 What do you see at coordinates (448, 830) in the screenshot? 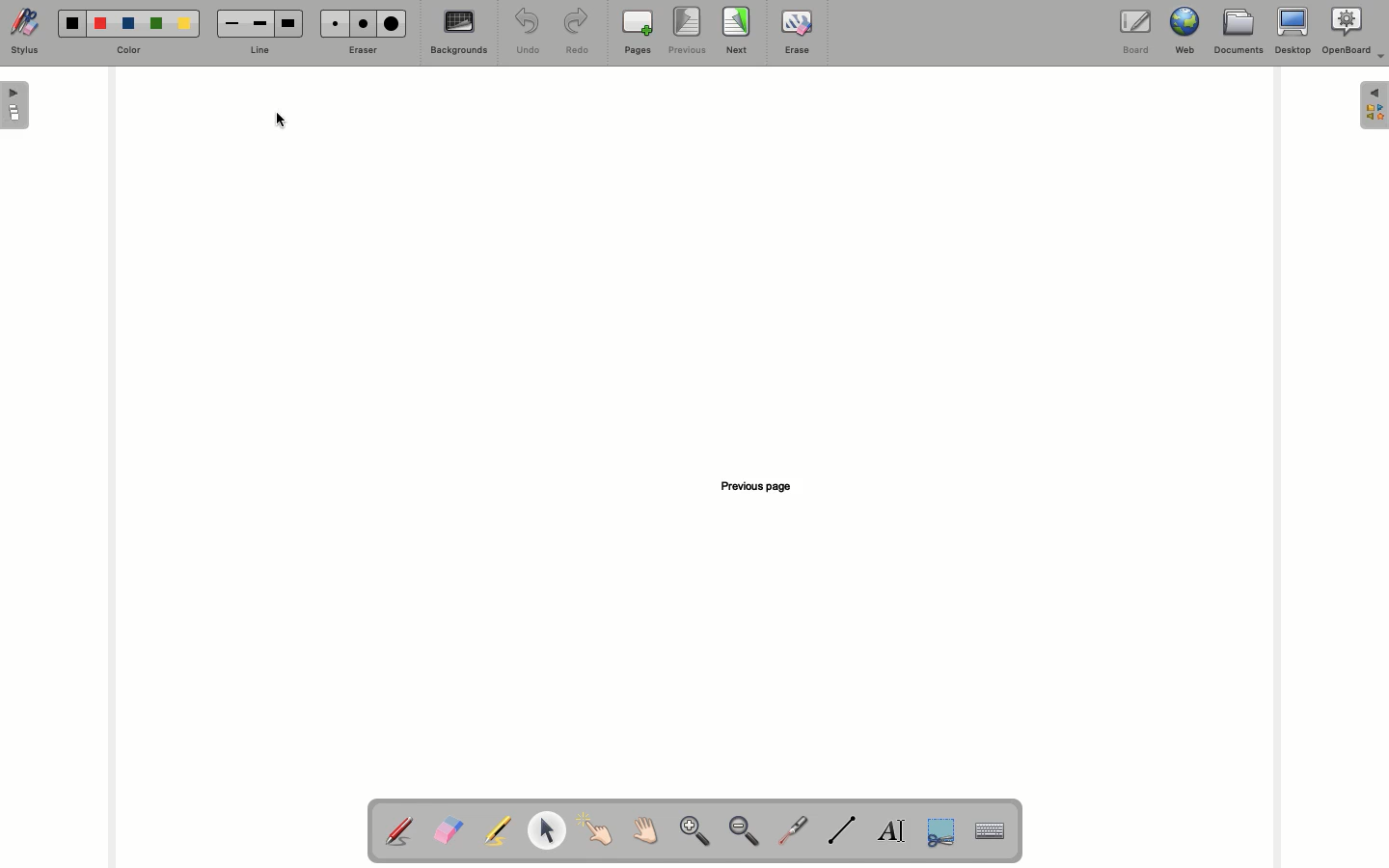
I see `Erase annotation` at bounding box center [448, 830].